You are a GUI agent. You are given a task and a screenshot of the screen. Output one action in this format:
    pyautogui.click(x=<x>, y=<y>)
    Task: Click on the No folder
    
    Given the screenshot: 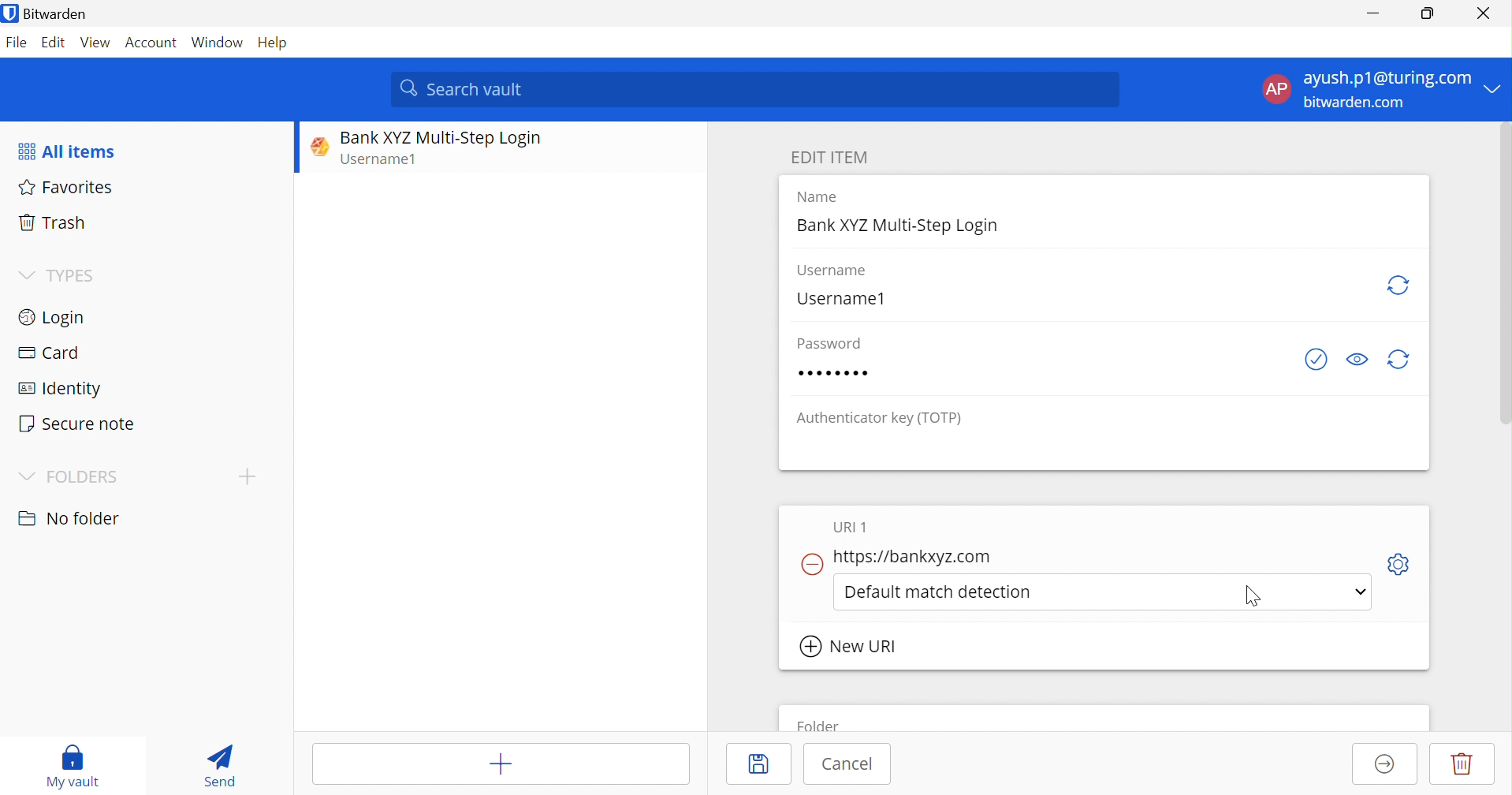 What is the action you would take?
    pyautogui.click(x=73, y=519)
    